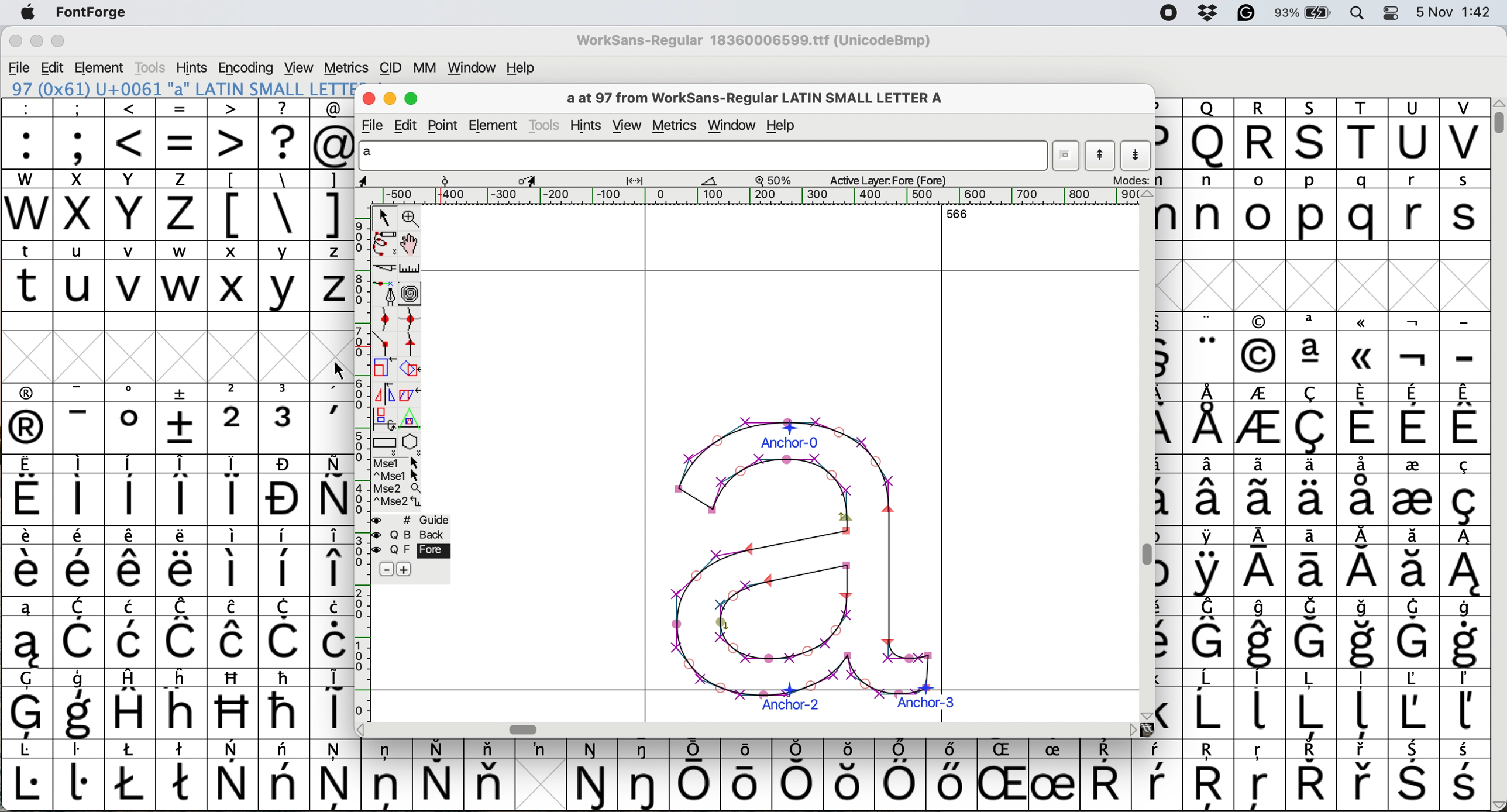 The width and height of the screenshot is (1507, 812). I want to click on symbol, so click(1464, 633).